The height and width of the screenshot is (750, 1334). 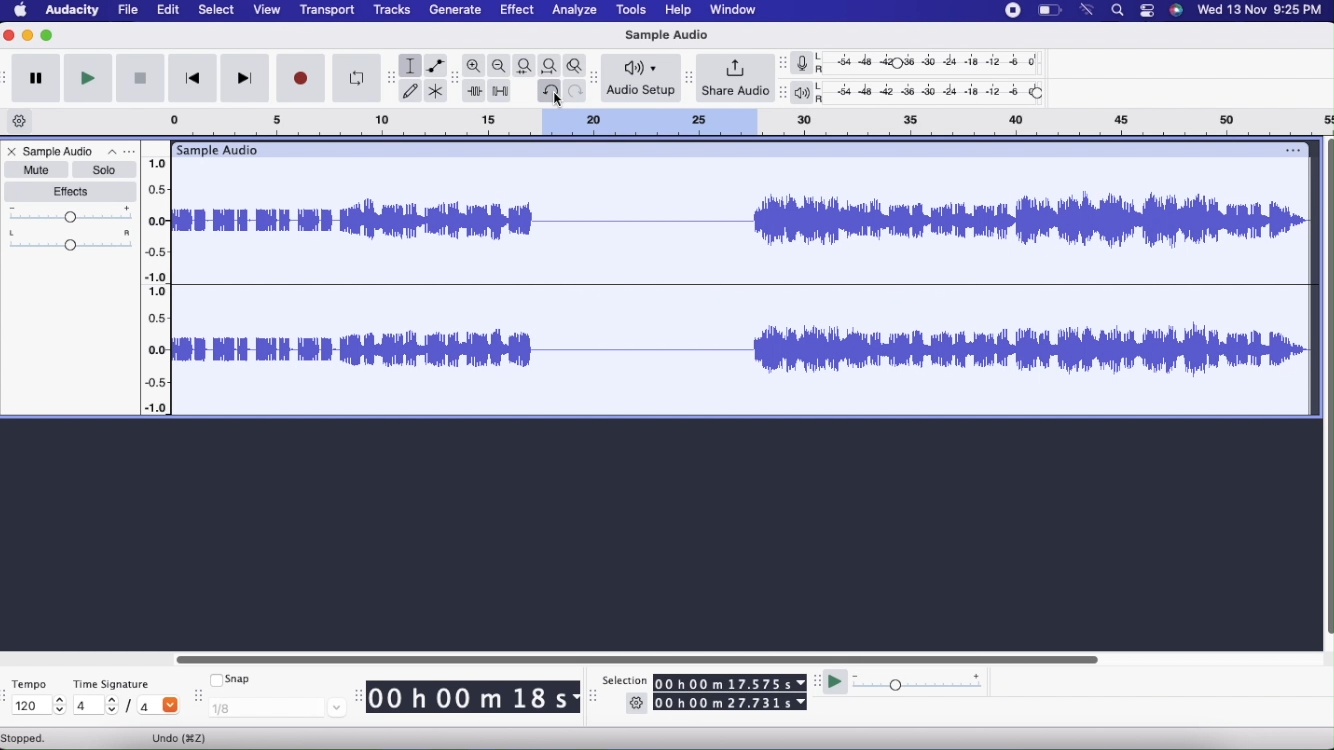 What do you see at coordinates (743, 221) in the screenshot?
I see `audio track` at bounding box center [743, 221].